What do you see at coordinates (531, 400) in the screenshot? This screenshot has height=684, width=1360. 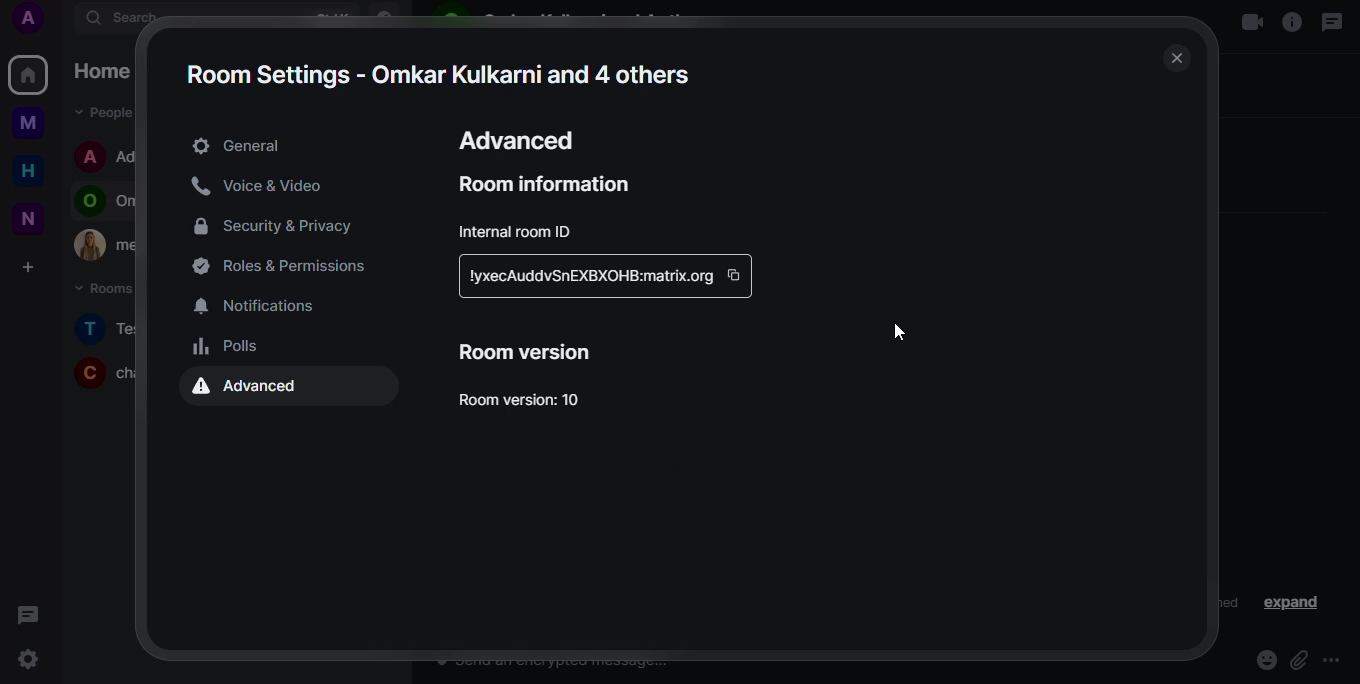 I see `version 10` at bounding box center [531, 400].